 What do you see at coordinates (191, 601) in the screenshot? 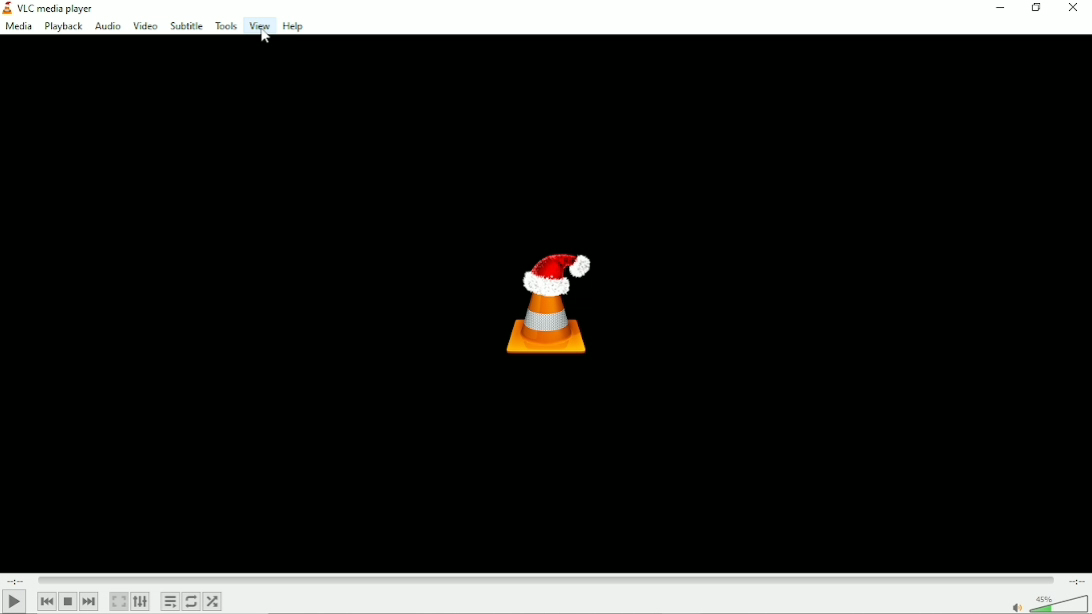
I see `Toggle between loop all, loop one and no loop` at bounding box center [191, 601].